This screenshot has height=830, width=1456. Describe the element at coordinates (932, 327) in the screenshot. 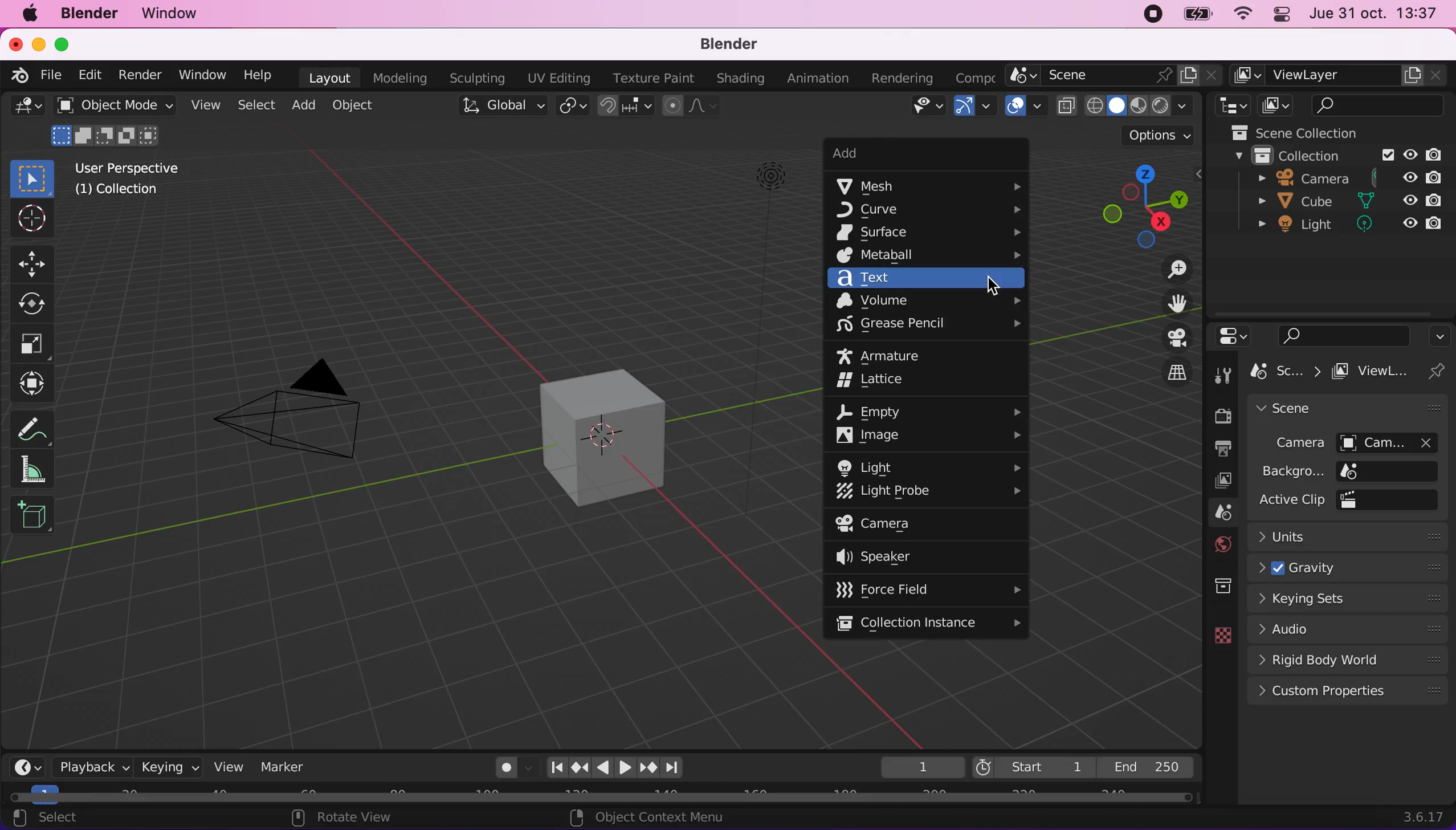

I see `grease pencil` at that location.